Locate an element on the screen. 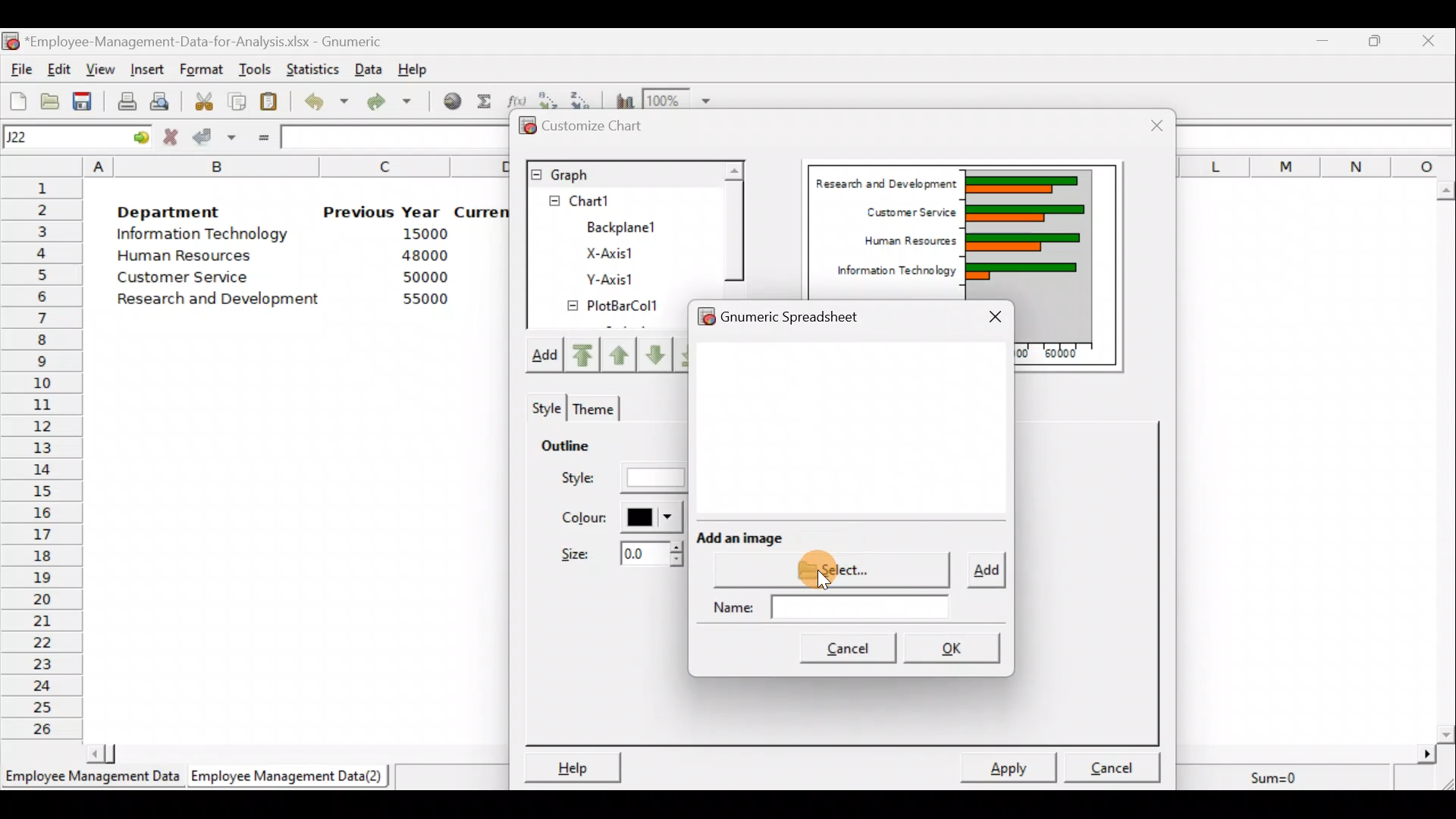 This screenshot has width=1456, height=819. Create a new workbook is located at coordinates (17, 99).